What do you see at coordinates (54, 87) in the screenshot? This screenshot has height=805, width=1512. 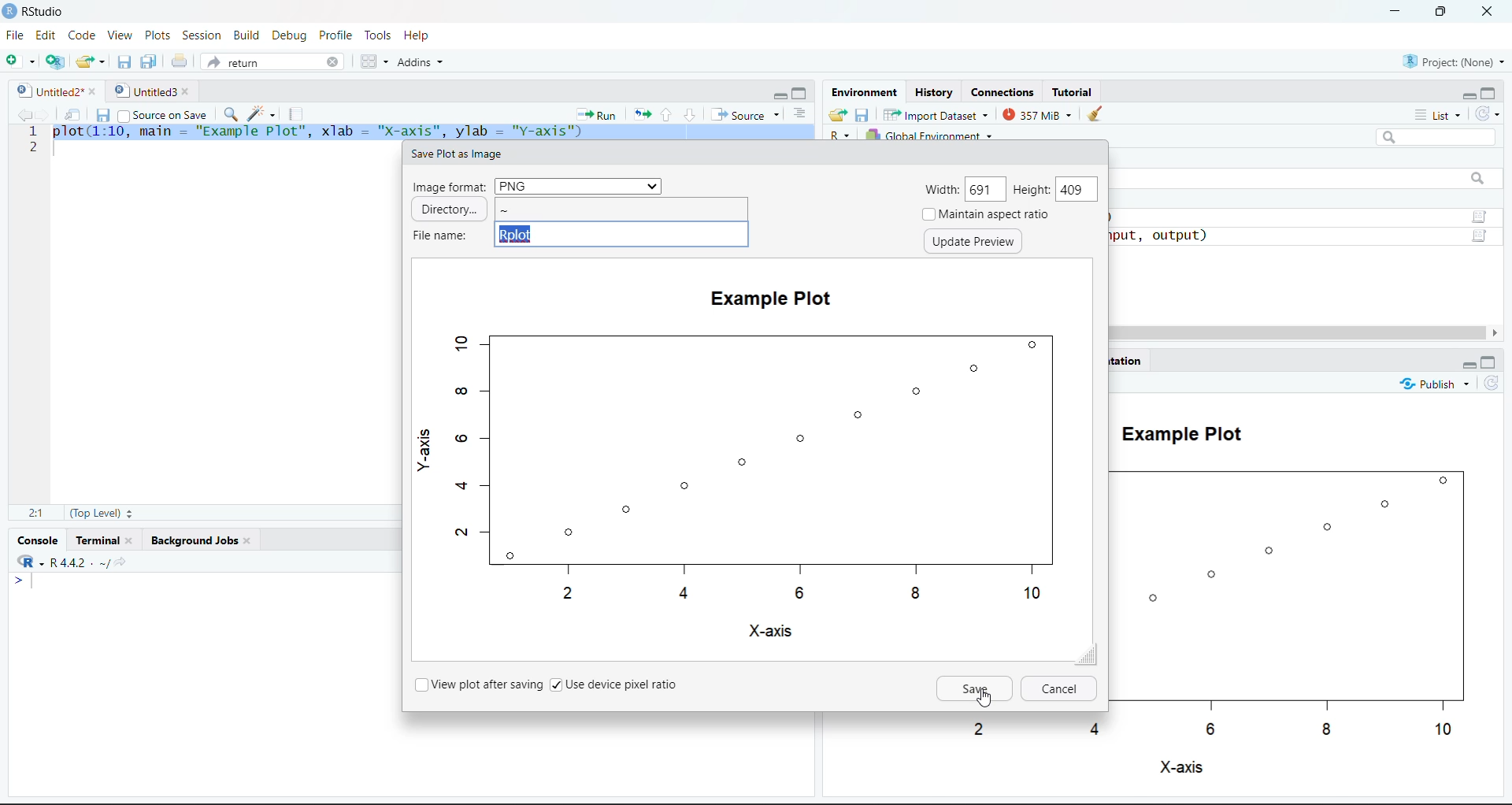 I see `Untitled2*` at bounding box center [54, 87].